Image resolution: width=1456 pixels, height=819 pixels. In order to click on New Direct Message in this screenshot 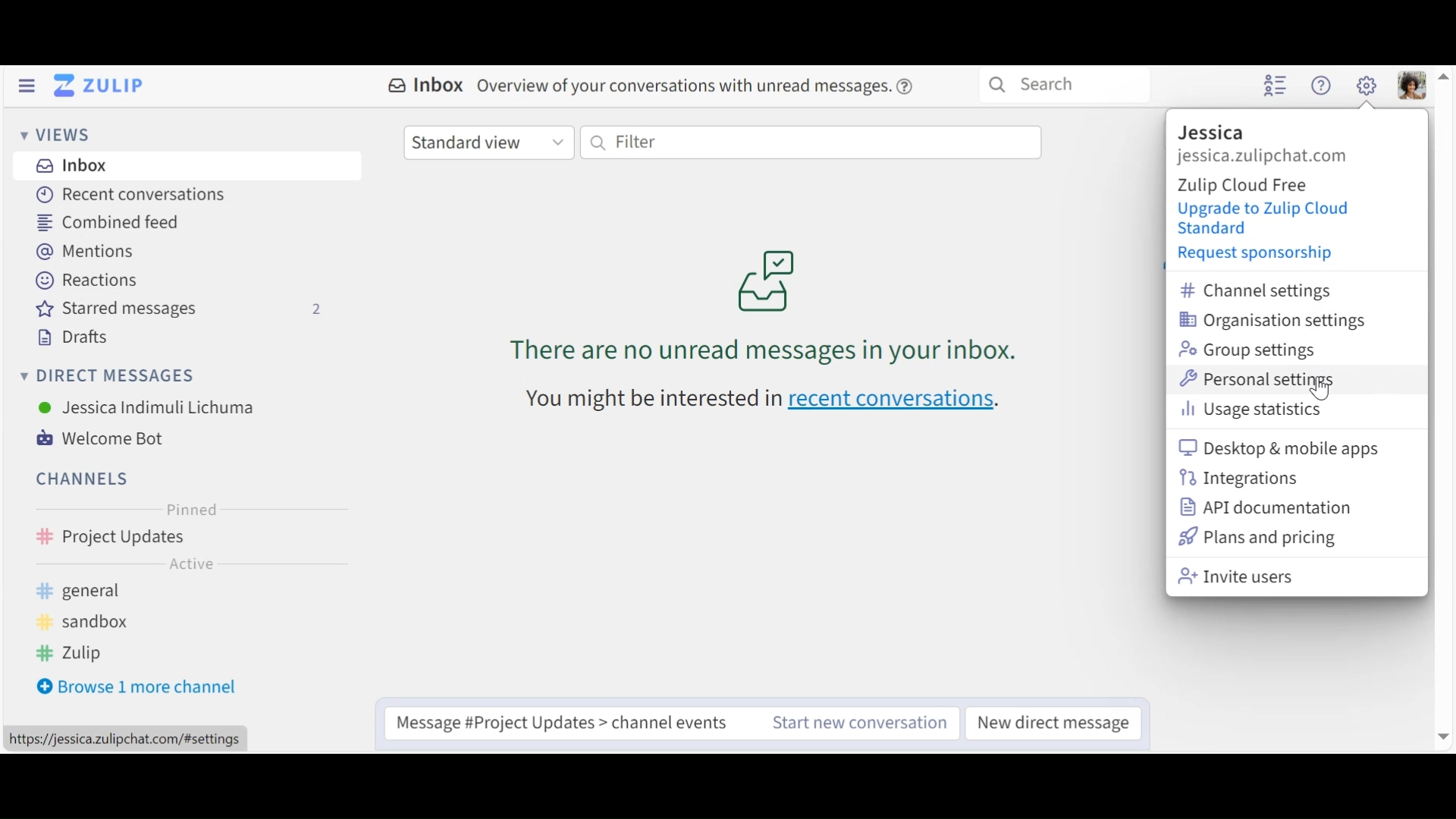, I will do `click(1055, 721)`.